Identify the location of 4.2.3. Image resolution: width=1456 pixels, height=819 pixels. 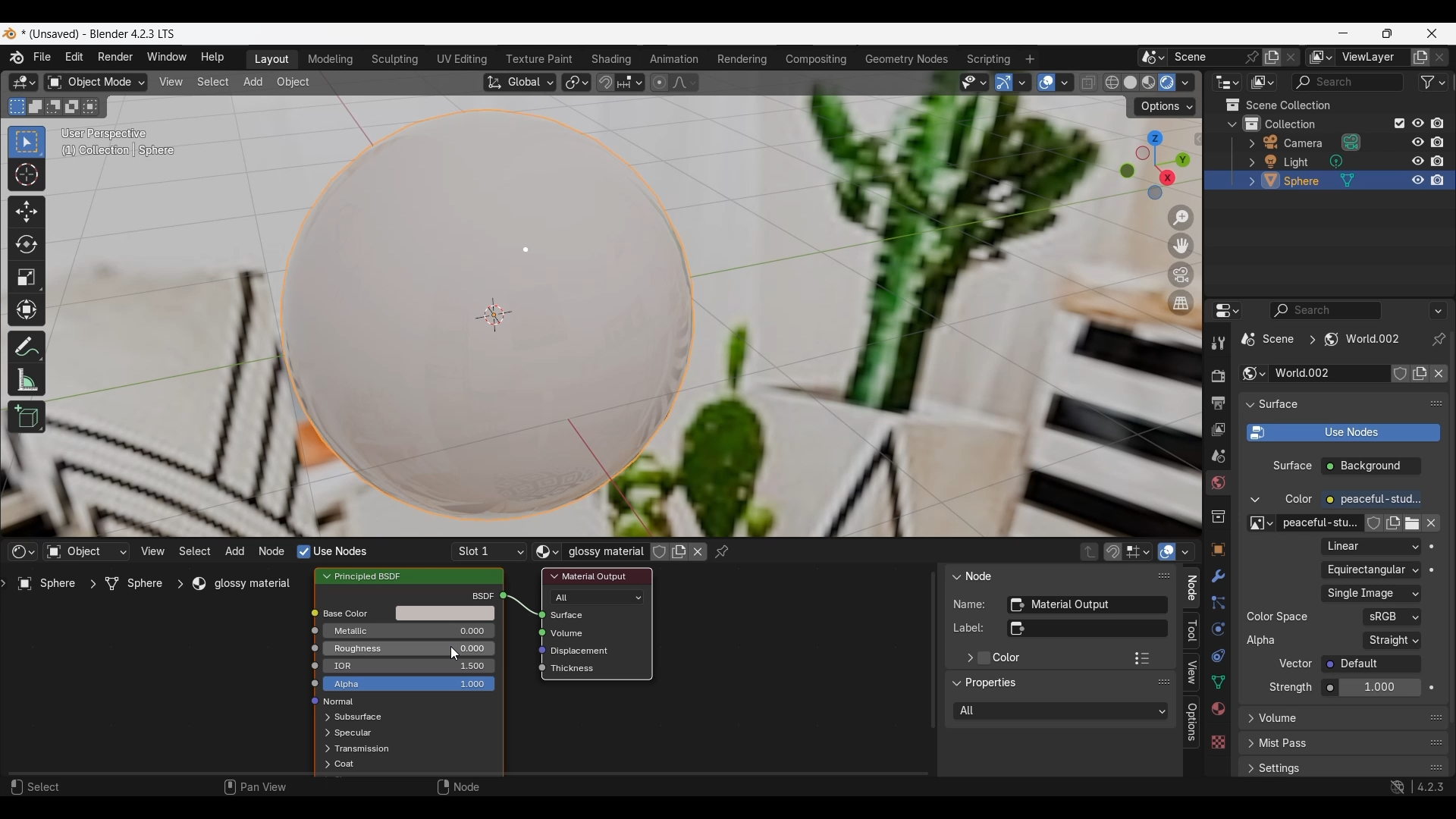
(1431, 786).